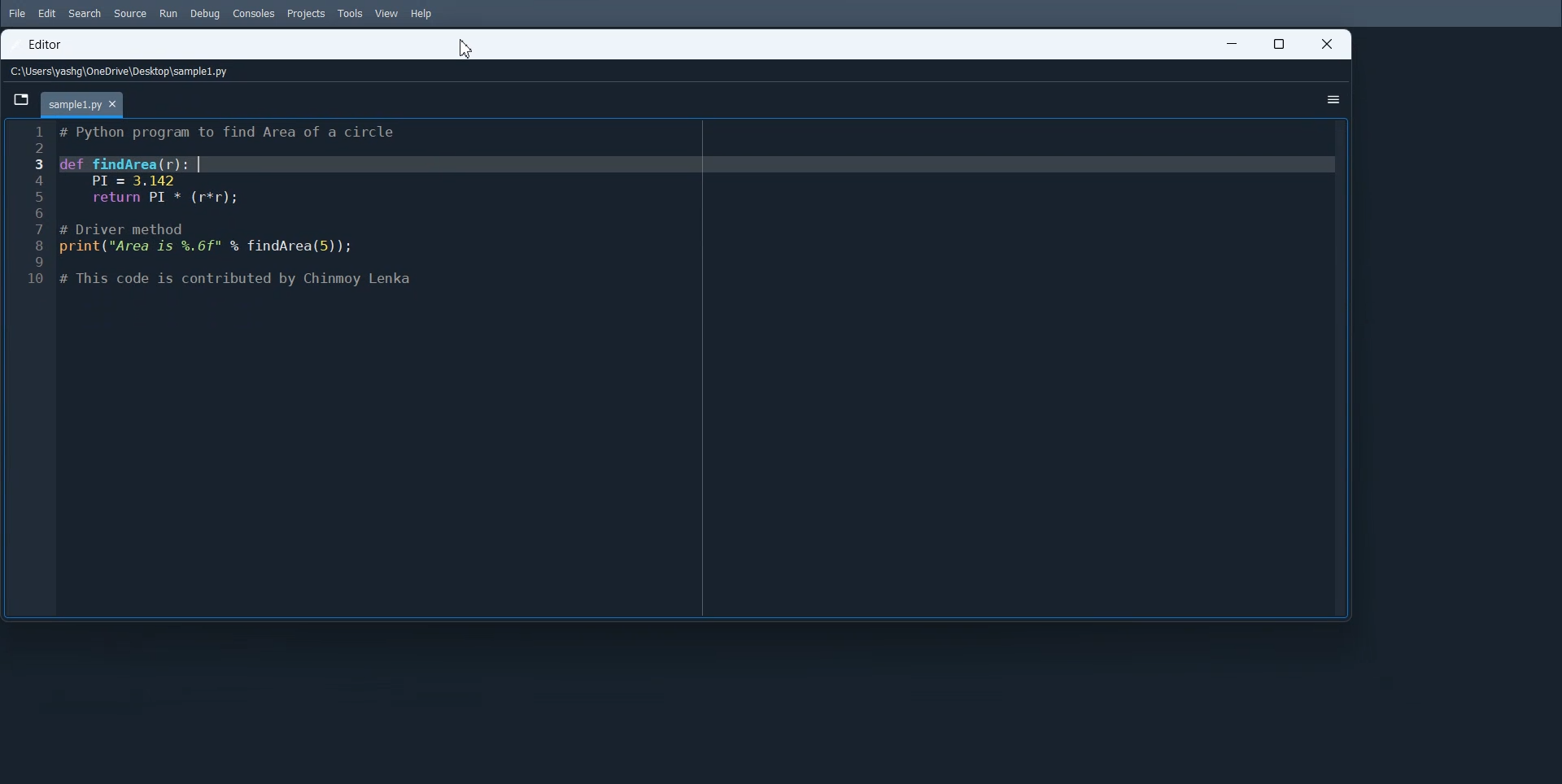 Image resolution: width=1562 pixels, height=784 pixels. I want to click on Line number, so click(28, 368).